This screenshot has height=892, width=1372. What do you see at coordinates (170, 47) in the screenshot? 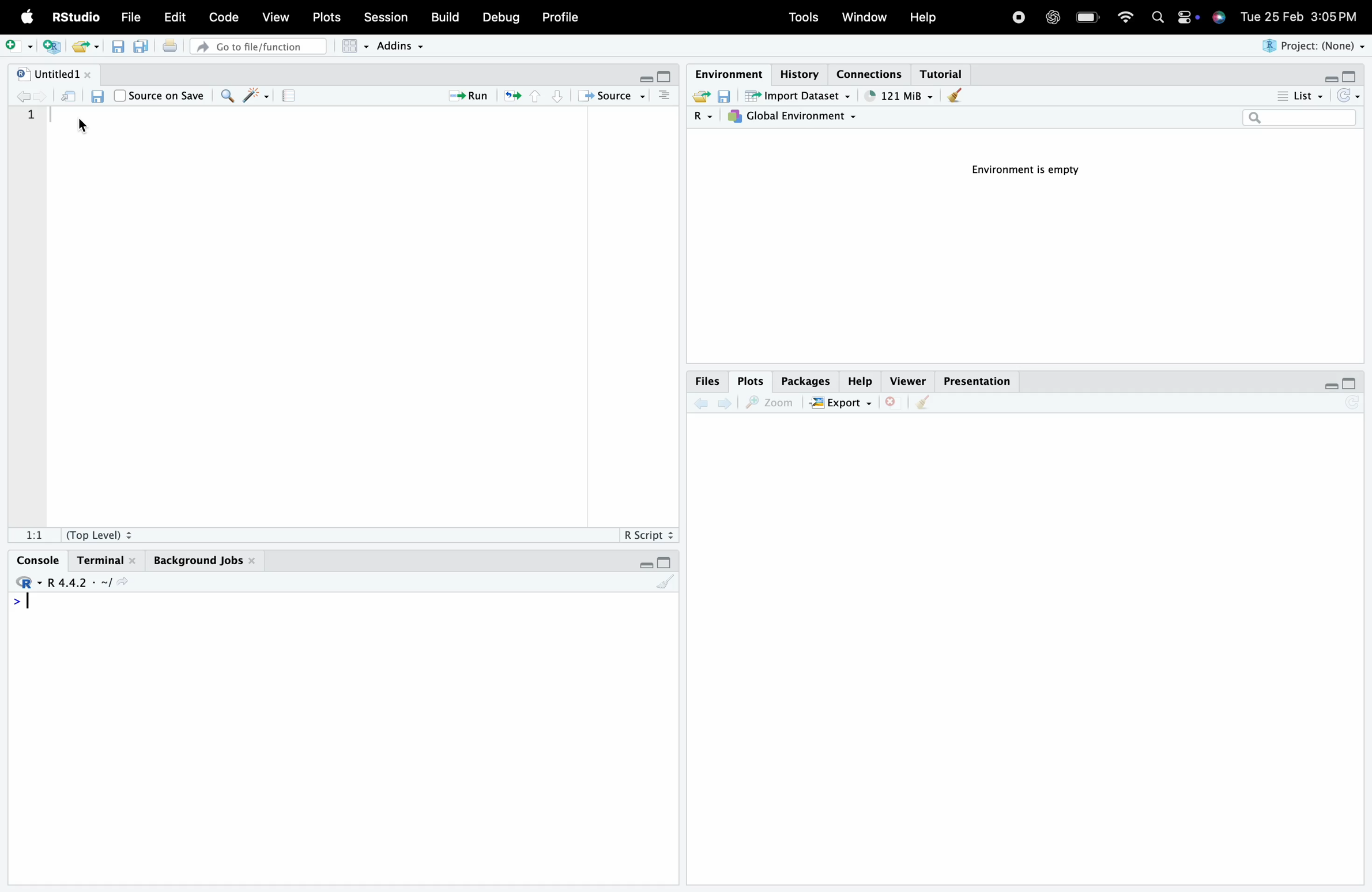
I see `Print the current file` at bounding box center [170, 47].